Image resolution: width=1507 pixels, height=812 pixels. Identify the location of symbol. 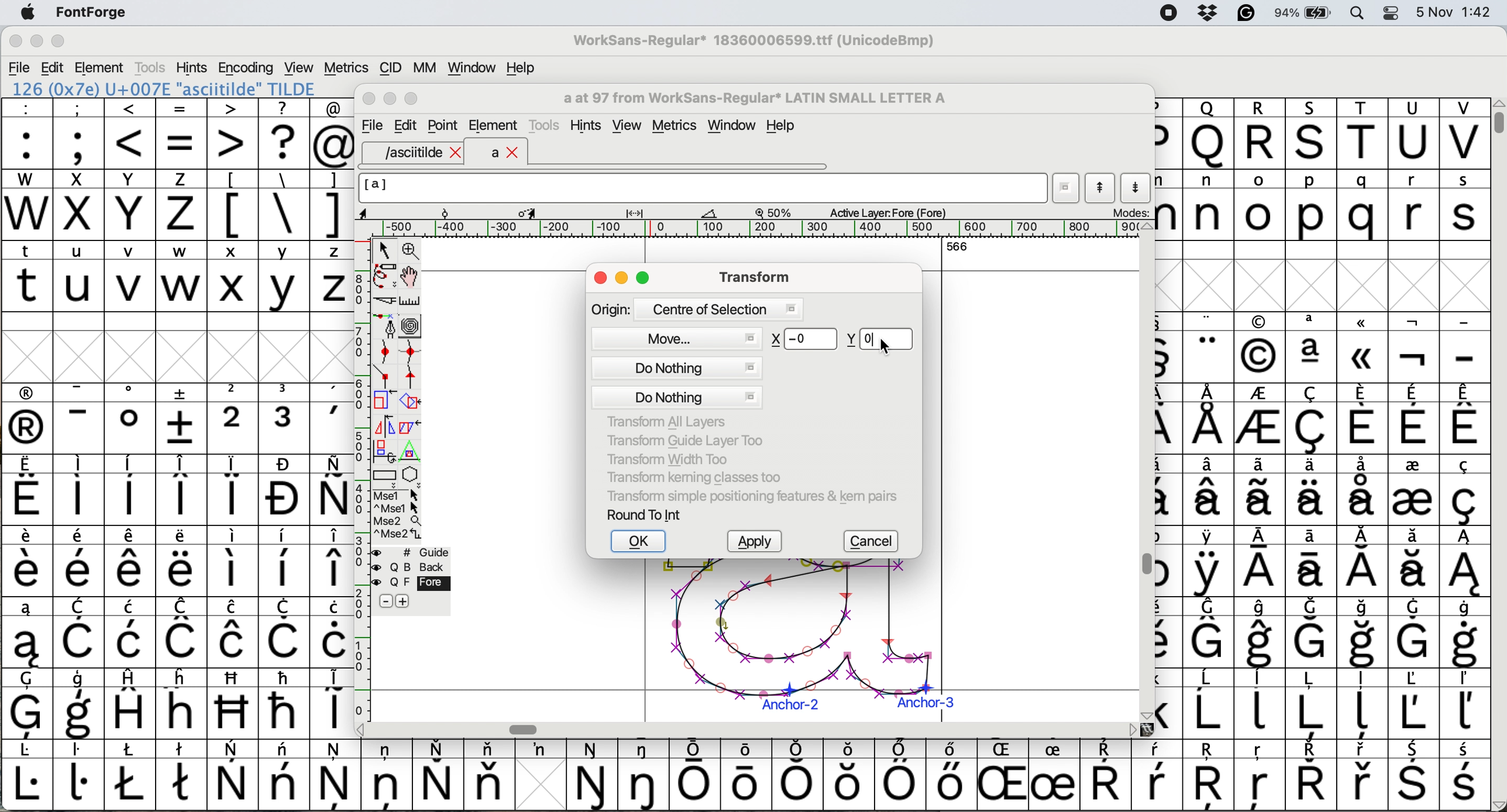
(234, 776).